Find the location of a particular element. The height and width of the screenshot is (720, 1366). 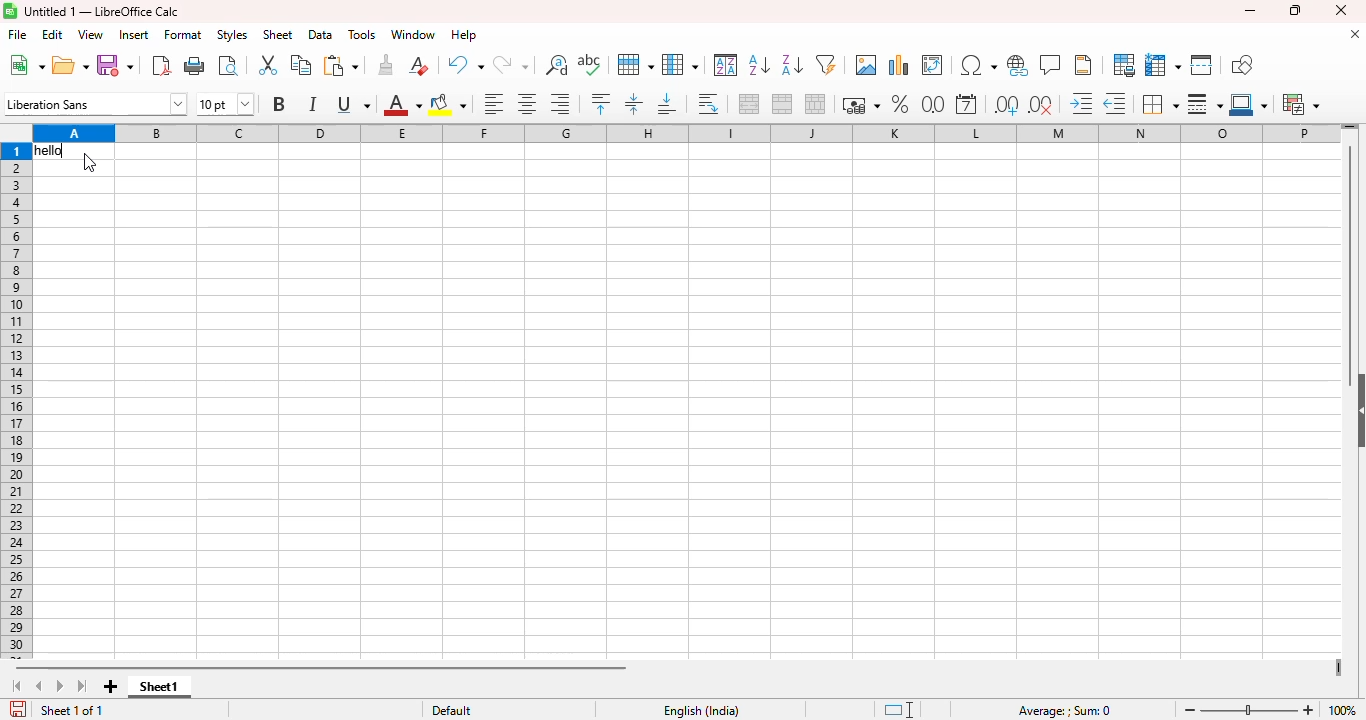

save is located at coordinates (115, 65).